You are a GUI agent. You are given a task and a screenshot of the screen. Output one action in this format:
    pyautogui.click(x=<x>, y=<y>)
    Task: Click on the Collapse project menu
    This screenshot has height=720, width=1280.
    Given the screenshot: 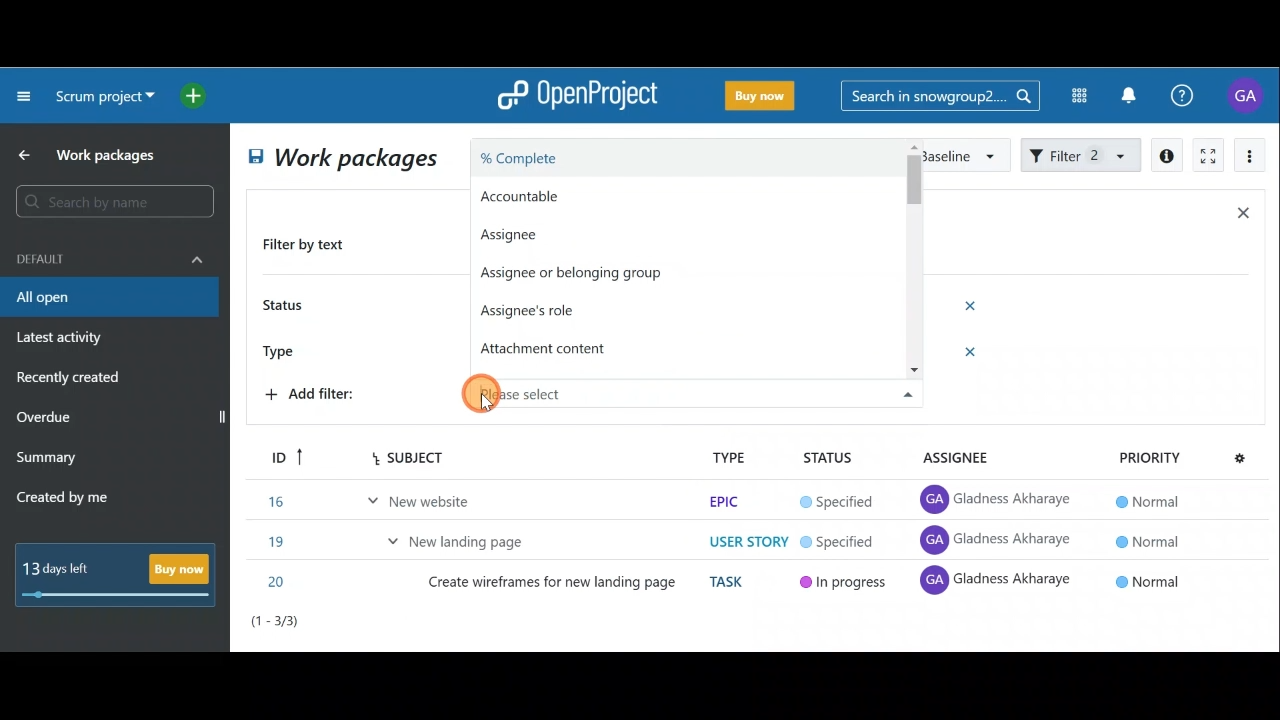 What is the action you would take?
    pyautogui.click(x=25, y=95)
    